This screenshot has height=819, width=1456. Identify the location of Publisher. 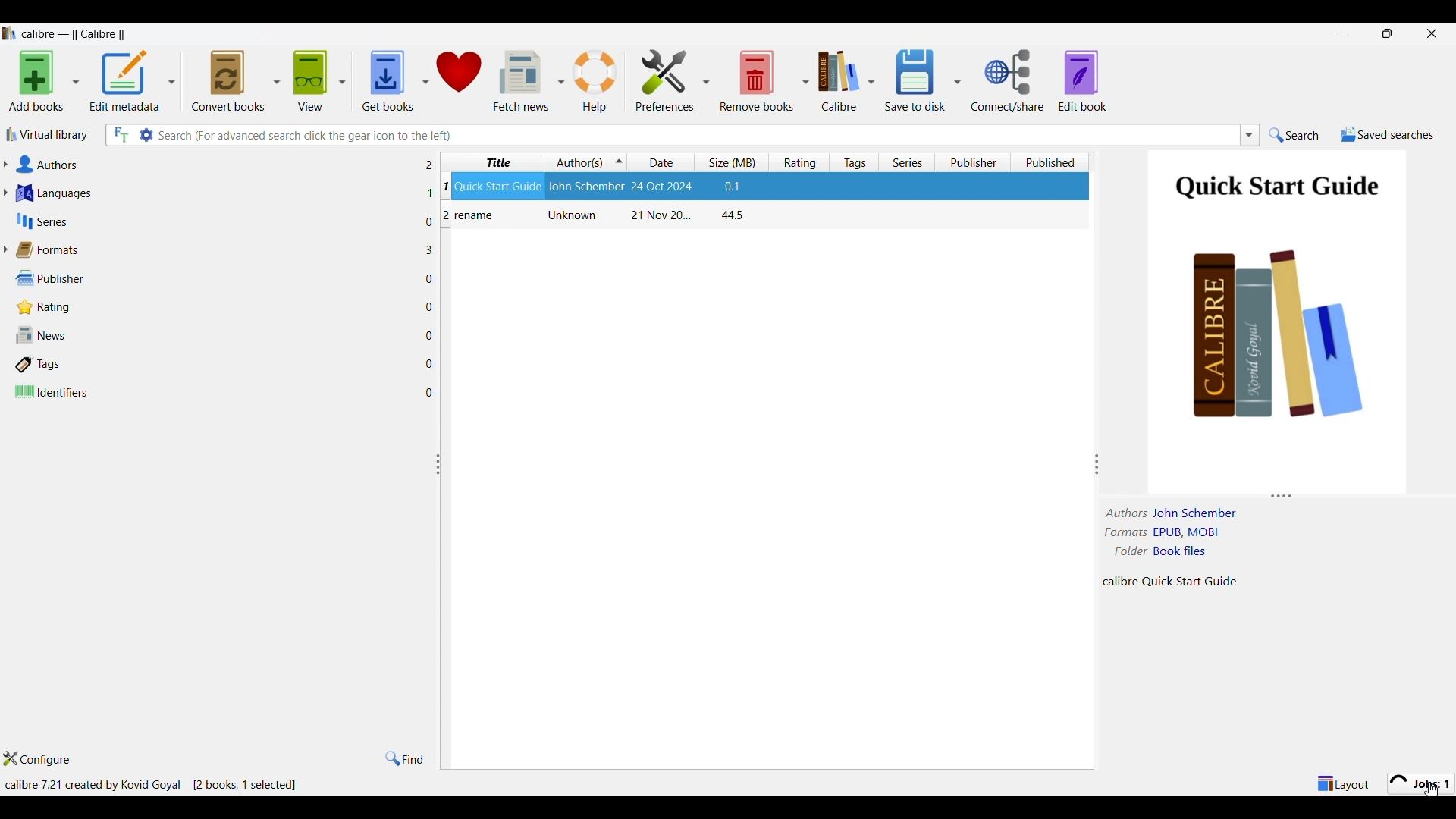
(215, 279).